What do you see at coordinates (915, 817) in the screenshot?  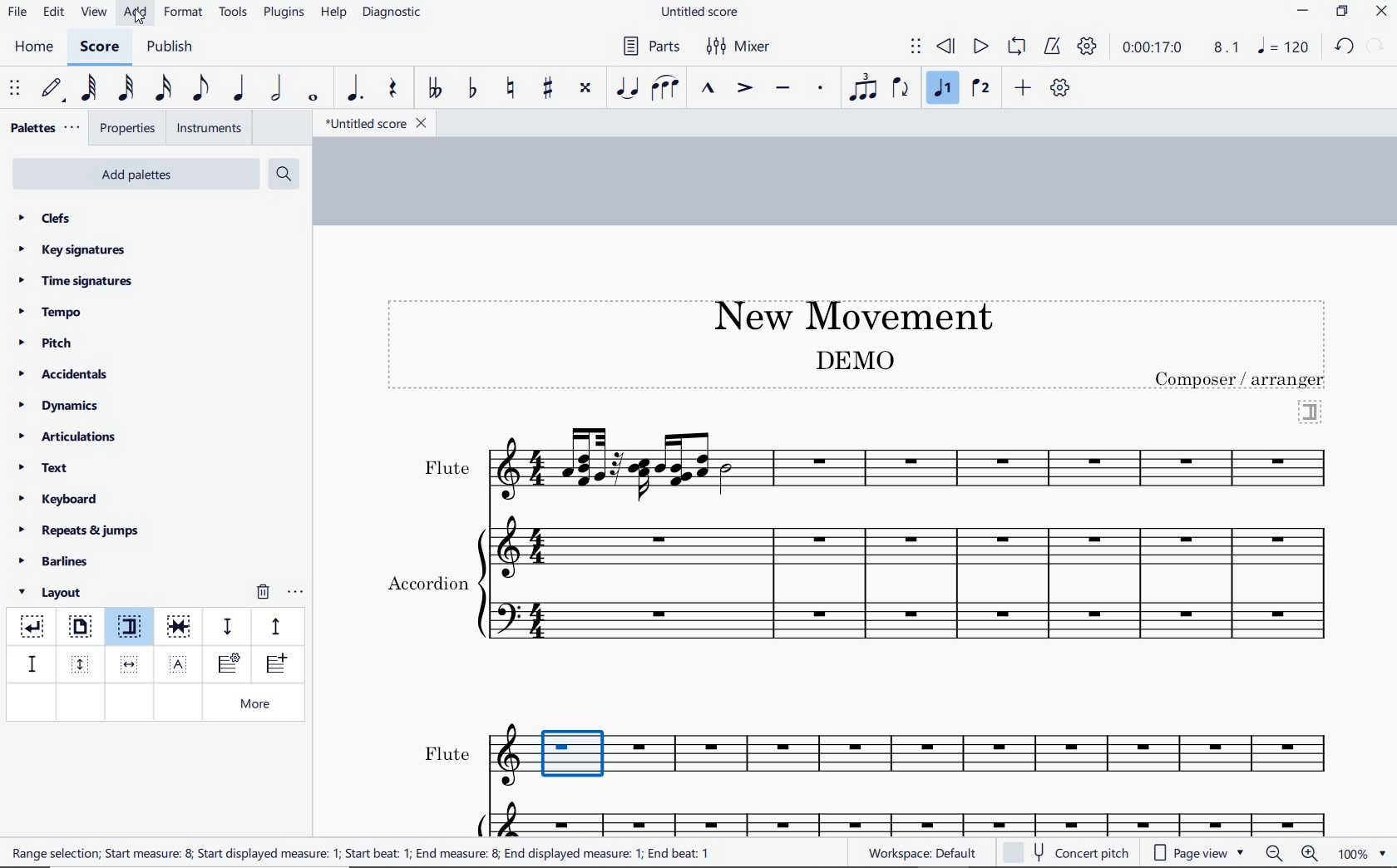 I see `Acc.` at bounding box center [915, 817].